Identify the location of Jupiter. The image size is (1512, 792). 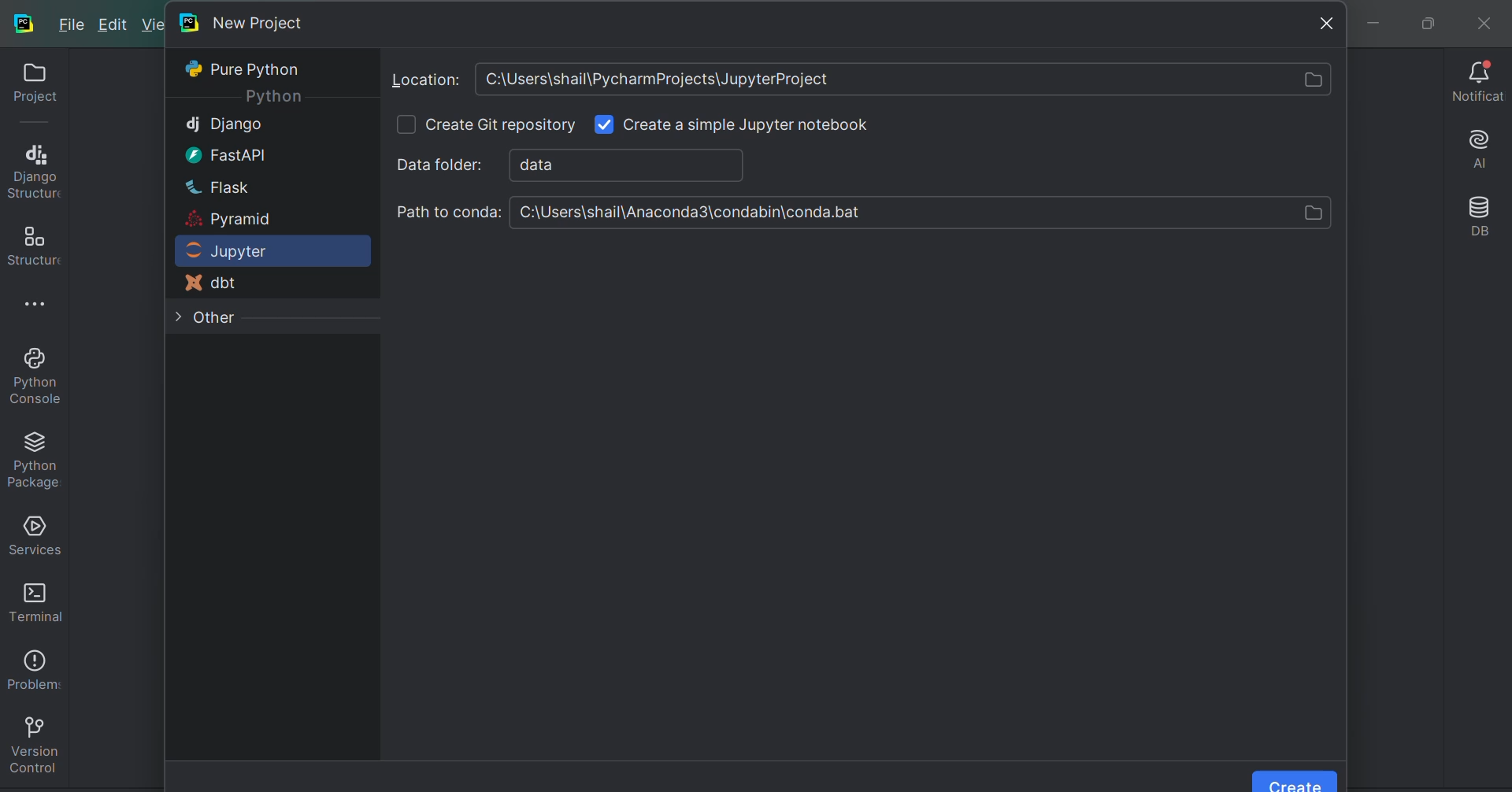
(270, 252).